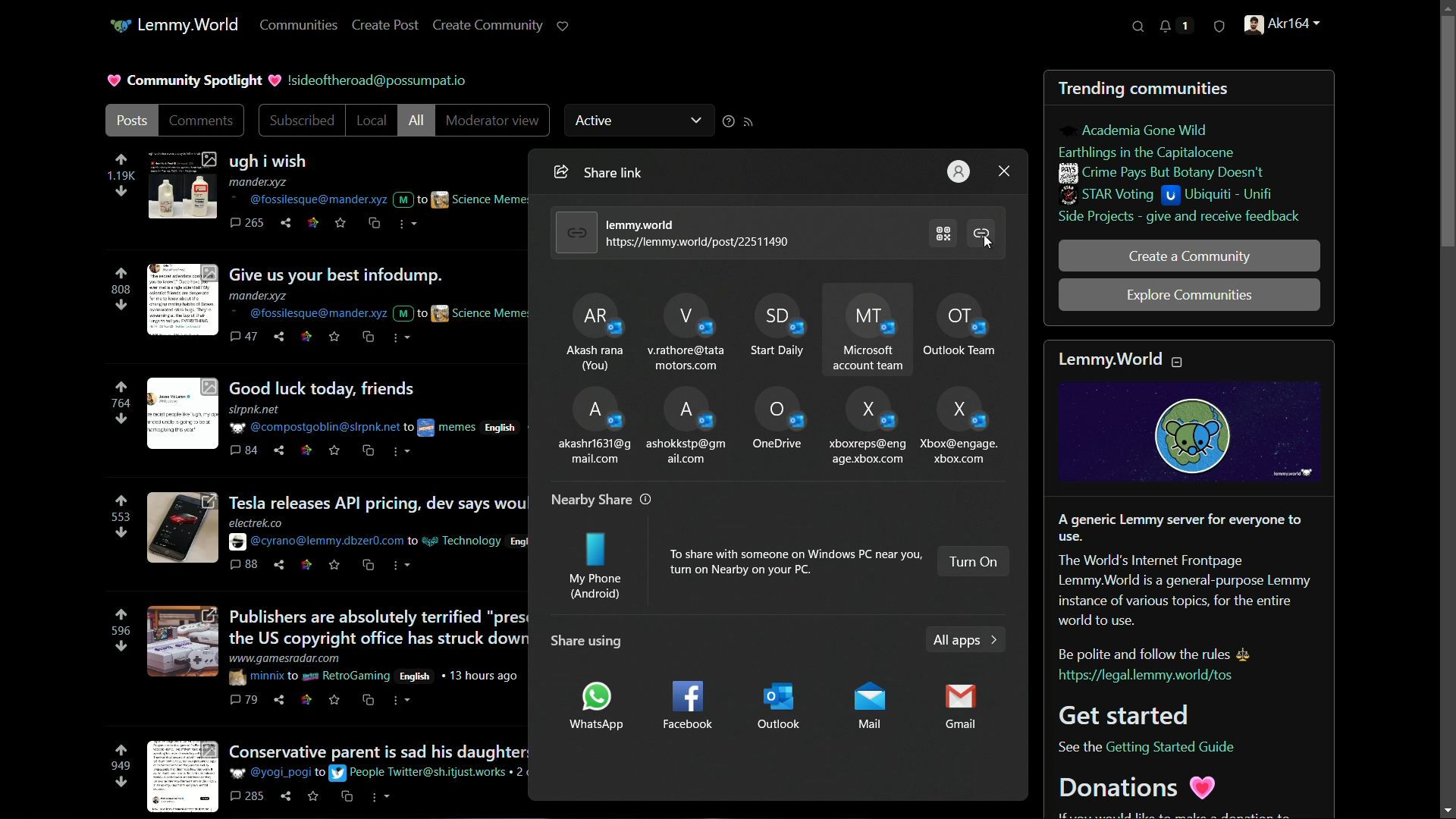 This screenshot has height=819, width=1456. Describe the element at coordinates (281, 700) in the screenshot. I see `share` at that location.